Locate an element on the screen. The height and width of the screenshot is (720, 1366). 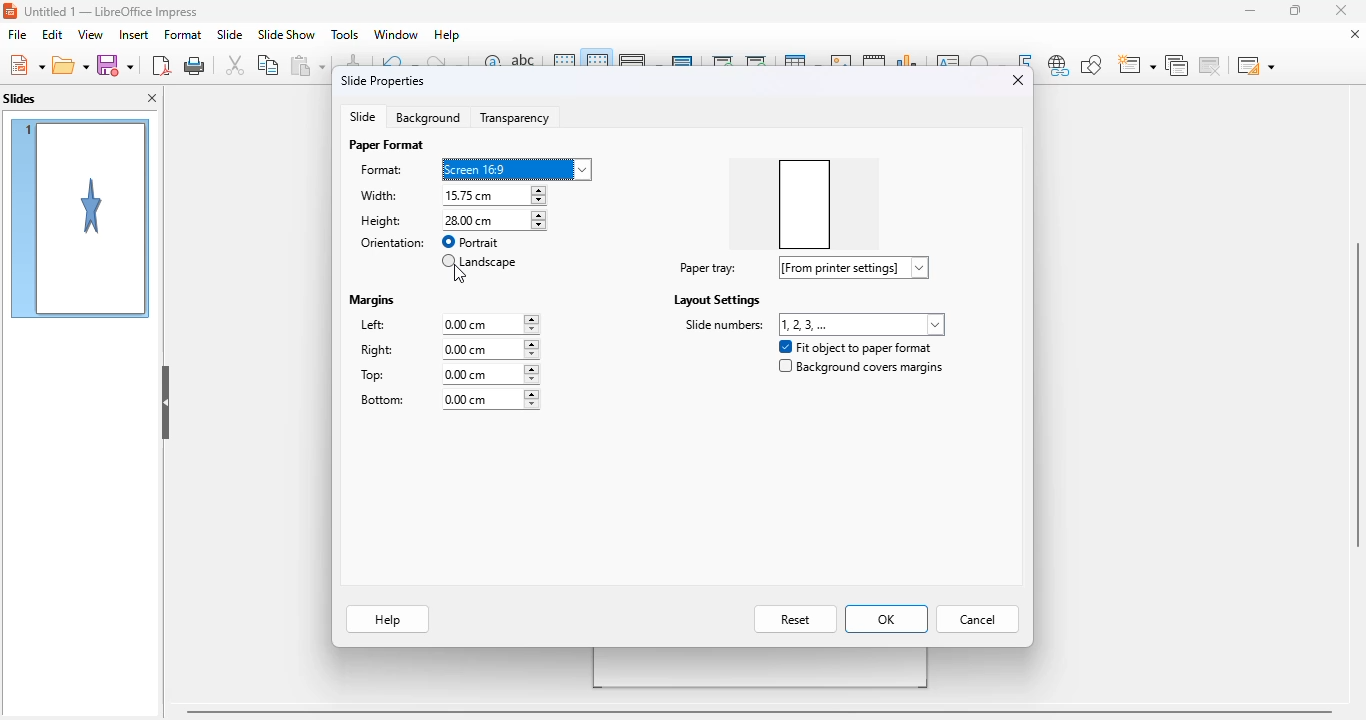
paper format is located at coordinates (388, 144).